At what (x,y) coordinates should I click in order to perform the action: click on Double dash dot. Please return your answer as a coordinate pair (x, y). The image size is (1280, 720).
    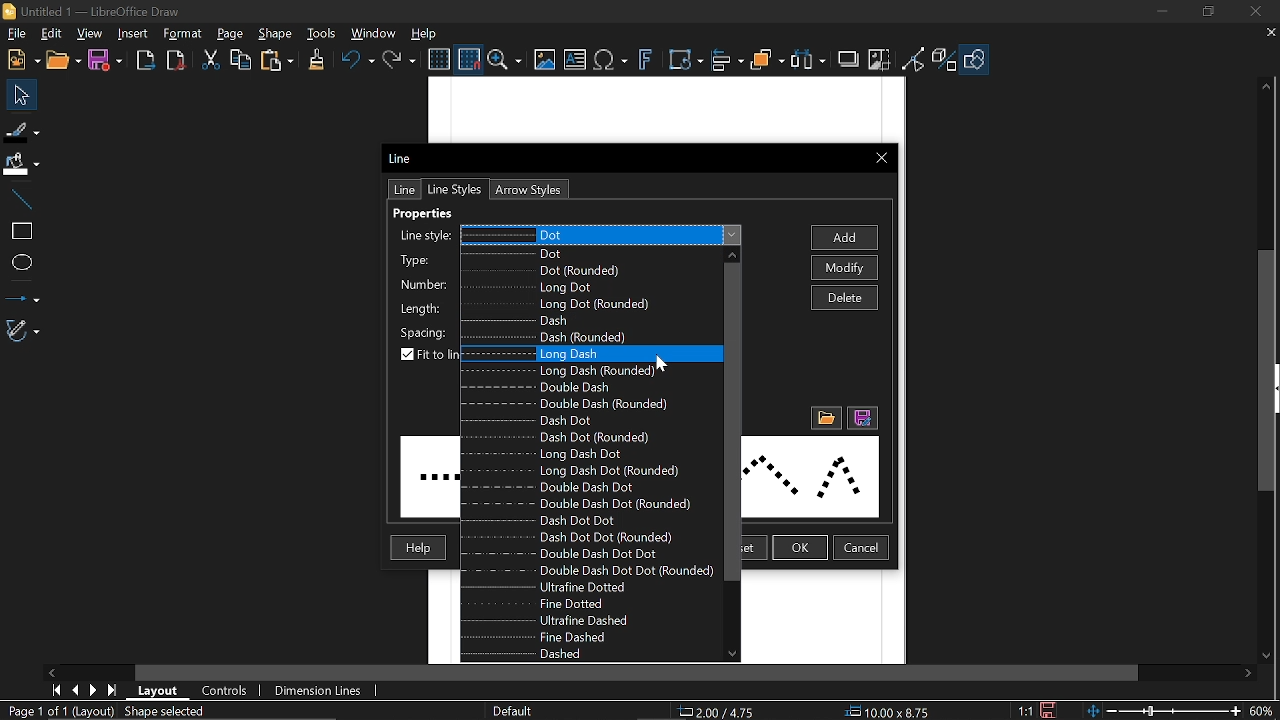
    Looking at the image, I should click on (589, 488).